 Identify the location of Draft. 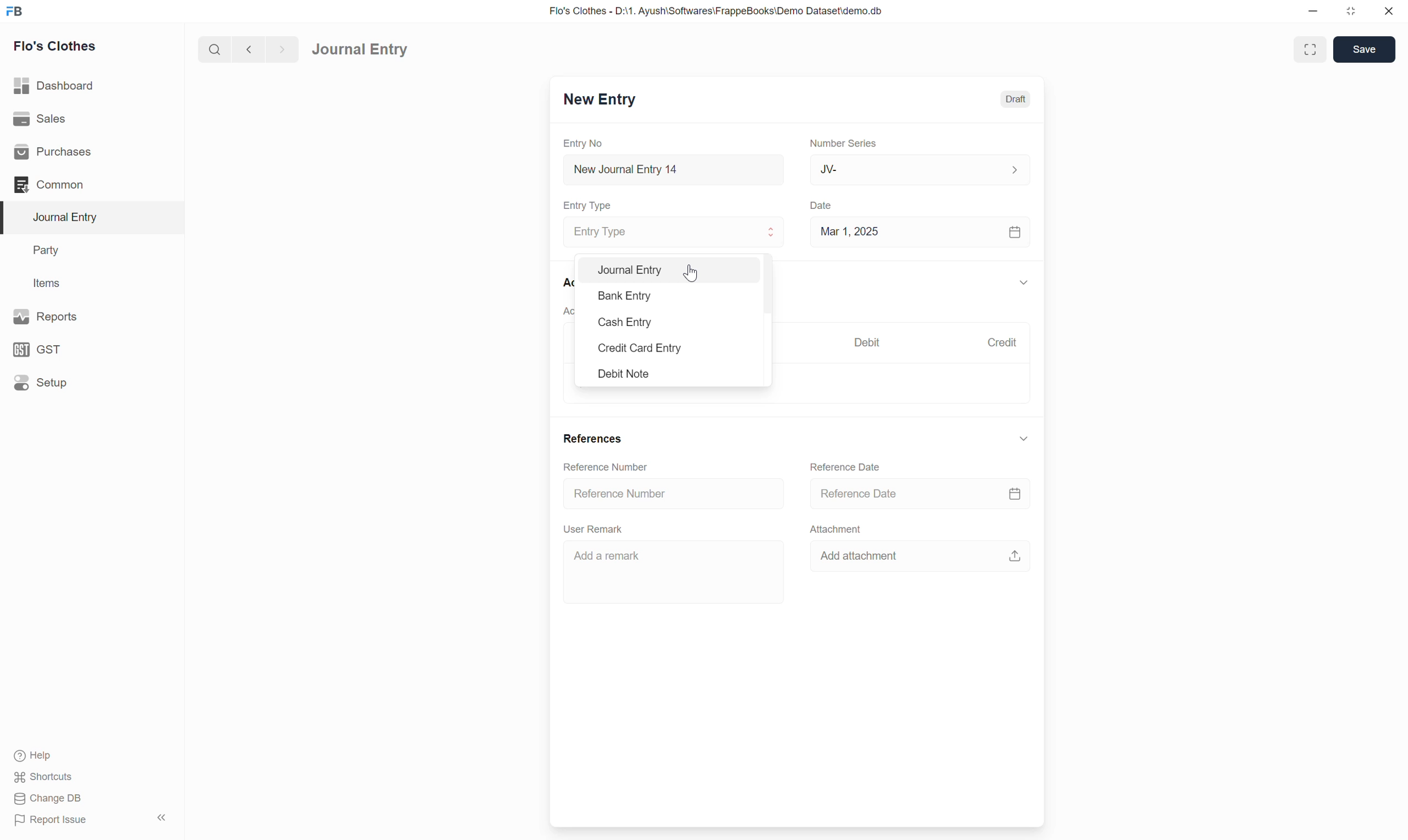
(1017, 98).